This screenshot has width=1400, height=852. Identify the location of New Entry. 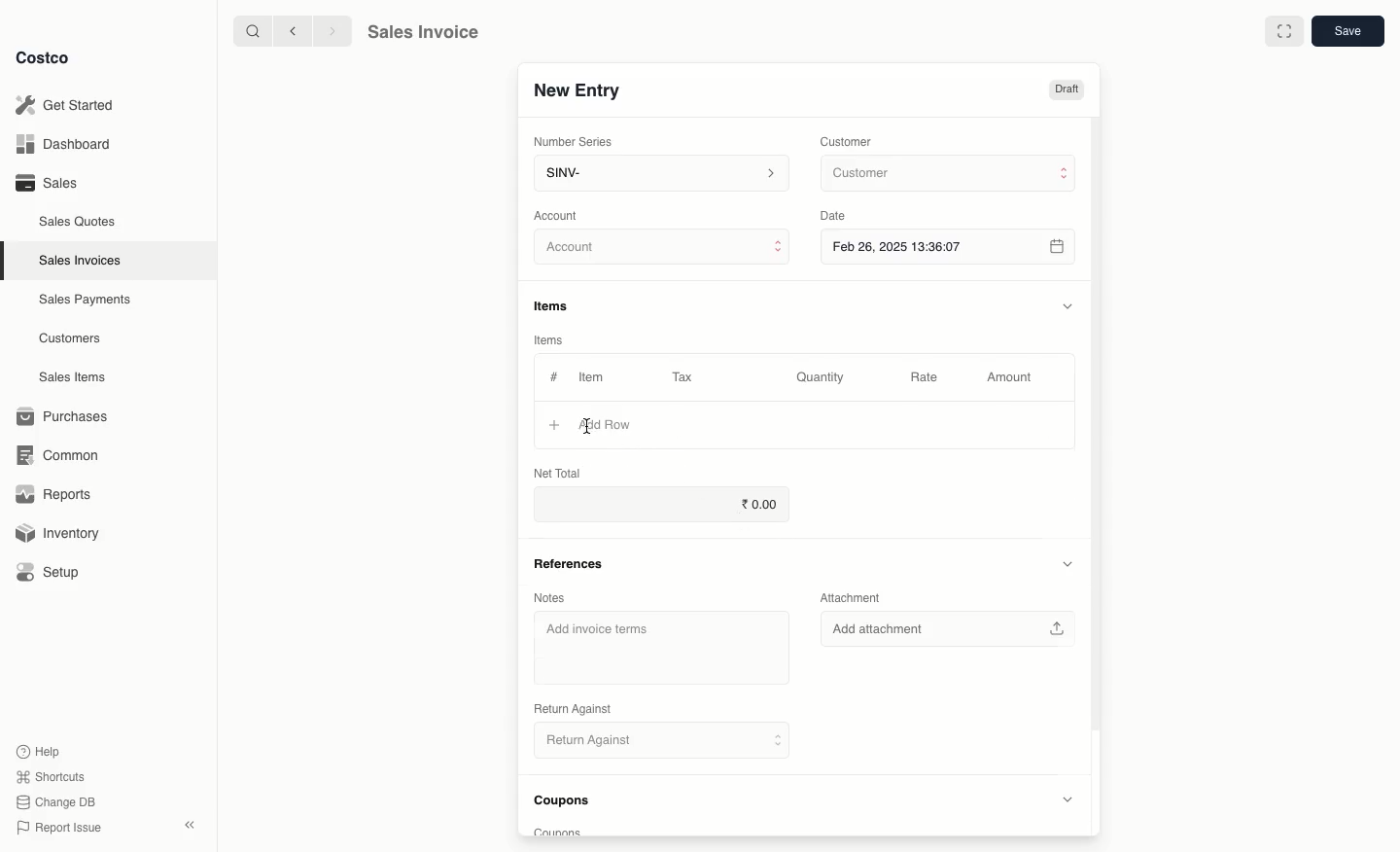
(576, 89).